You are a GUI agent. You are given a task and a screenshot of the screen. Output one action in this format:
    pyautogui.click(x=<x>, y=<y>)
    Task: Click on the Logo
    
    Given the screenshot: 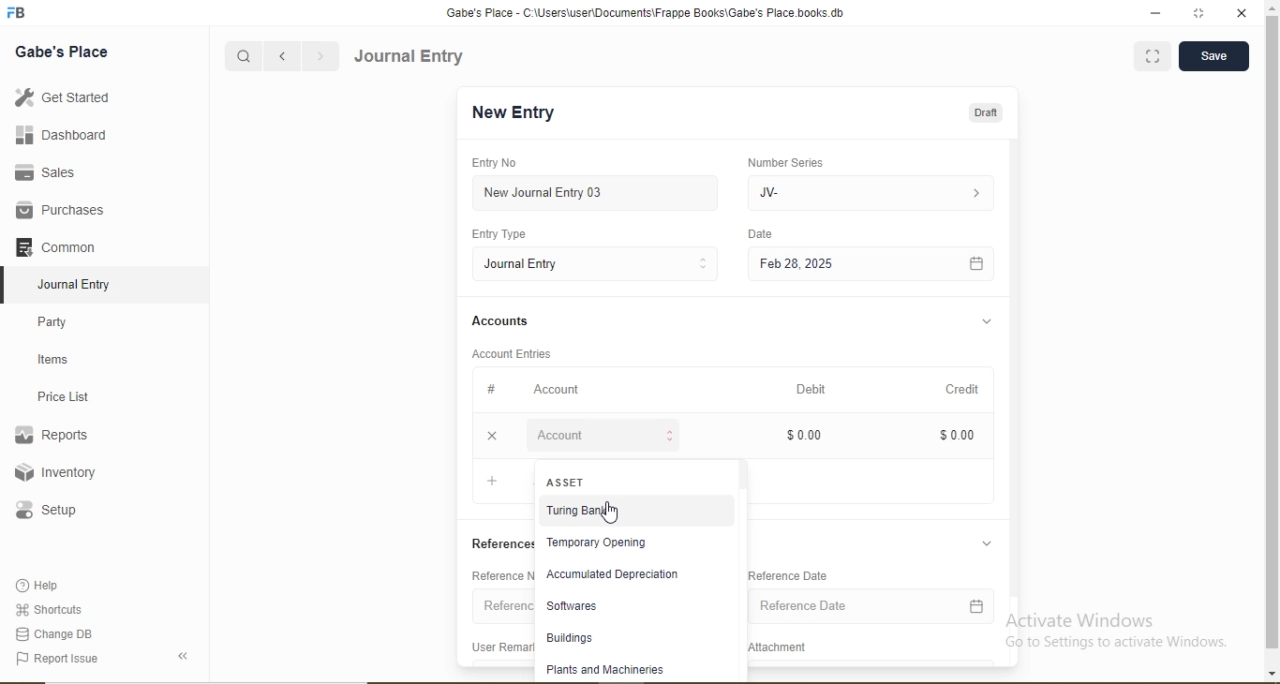 What is the action you would take?
    pyautogui.click(x=17, y=13)
    